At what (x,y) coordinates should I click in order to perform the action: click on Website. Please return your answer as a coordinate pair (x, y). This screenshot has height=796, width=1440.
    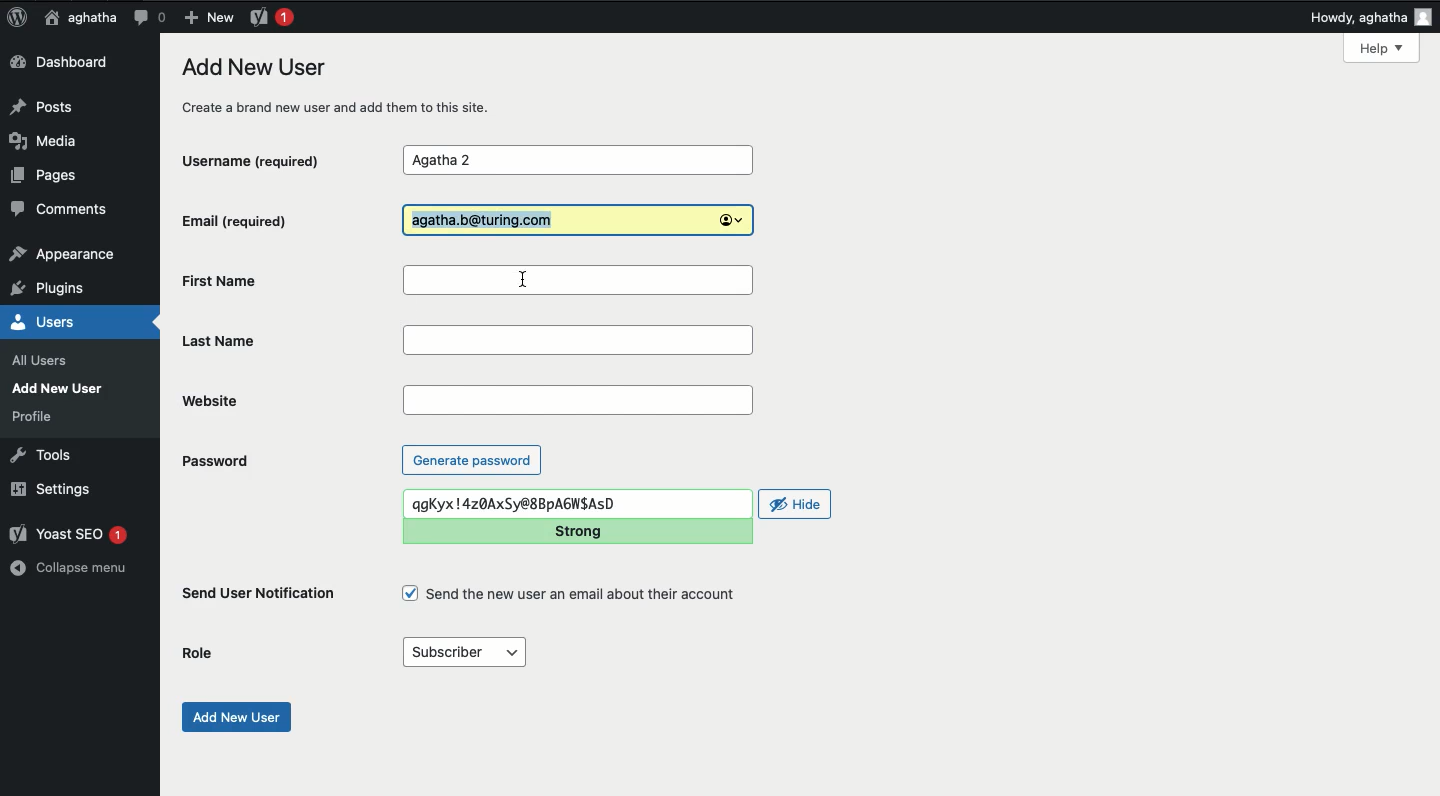
    Looking at the image, I should click on (581, 400).